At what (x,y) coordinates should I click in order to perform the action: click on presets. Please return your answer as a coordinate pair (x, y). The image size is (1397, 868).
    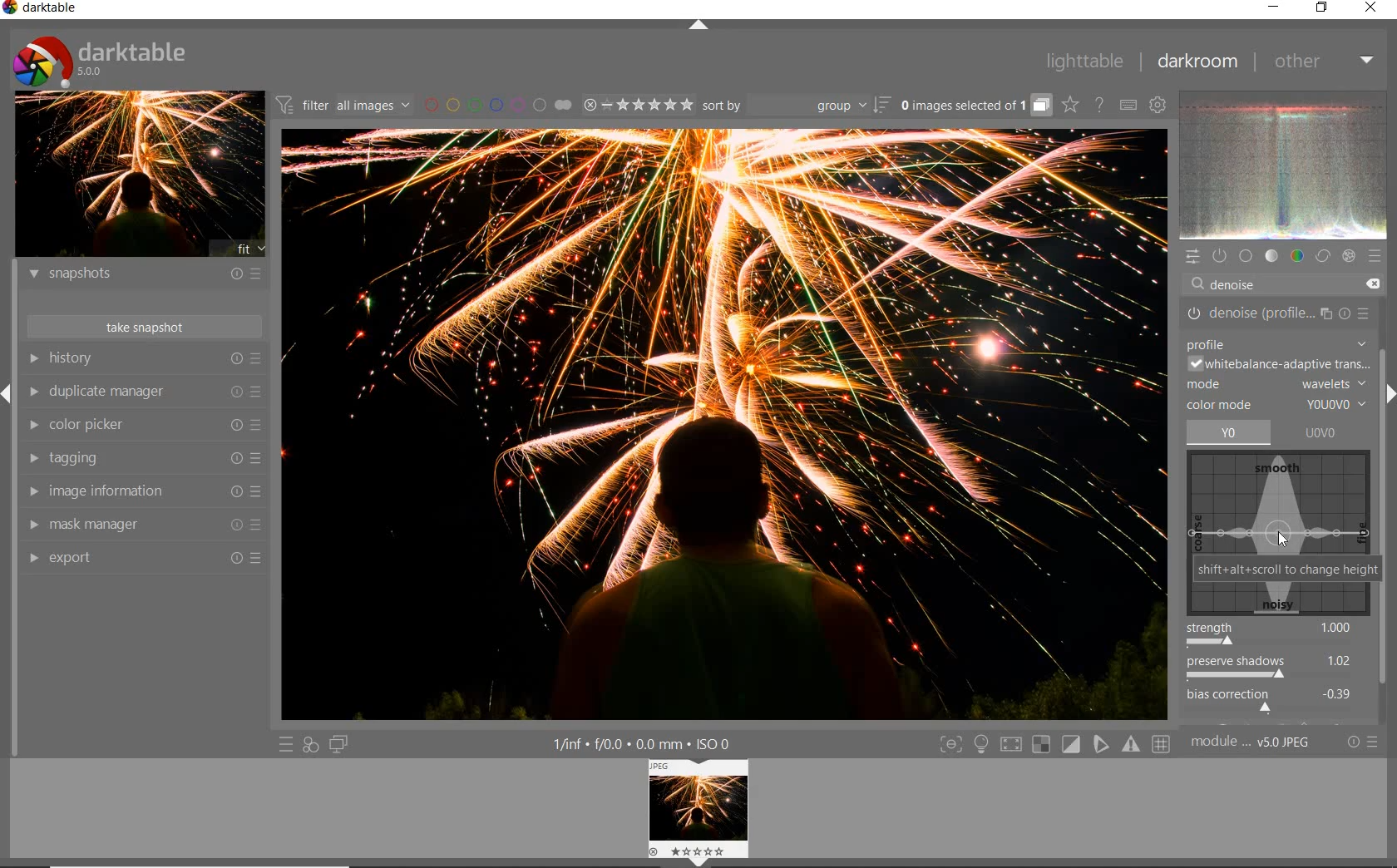
    Looking at the image, I should click on (1376, 257).